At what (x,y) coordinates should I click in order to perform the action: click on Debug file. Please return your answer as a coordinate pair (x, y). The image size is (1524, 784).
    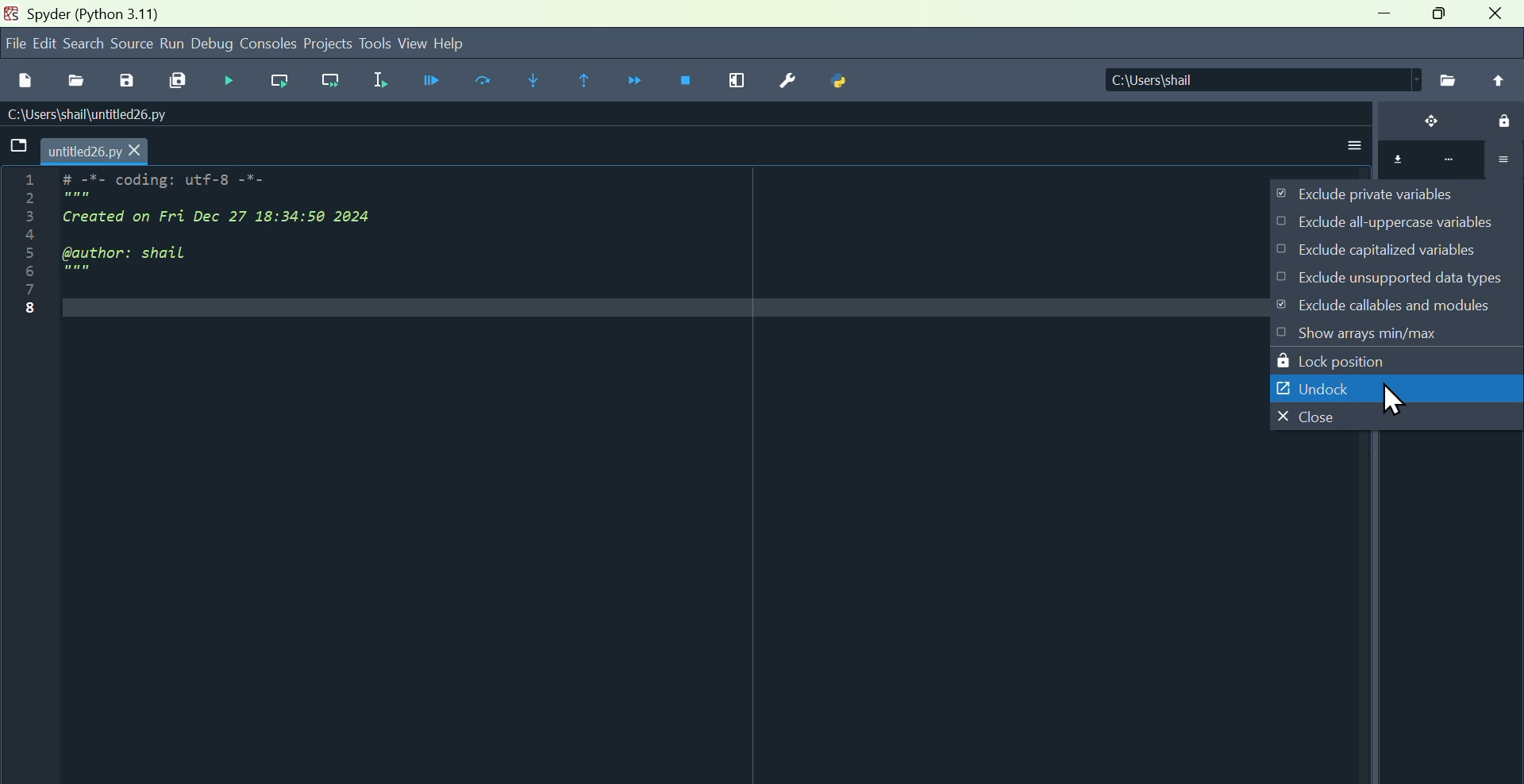
    Looking at the image, I should click on (427, 81).